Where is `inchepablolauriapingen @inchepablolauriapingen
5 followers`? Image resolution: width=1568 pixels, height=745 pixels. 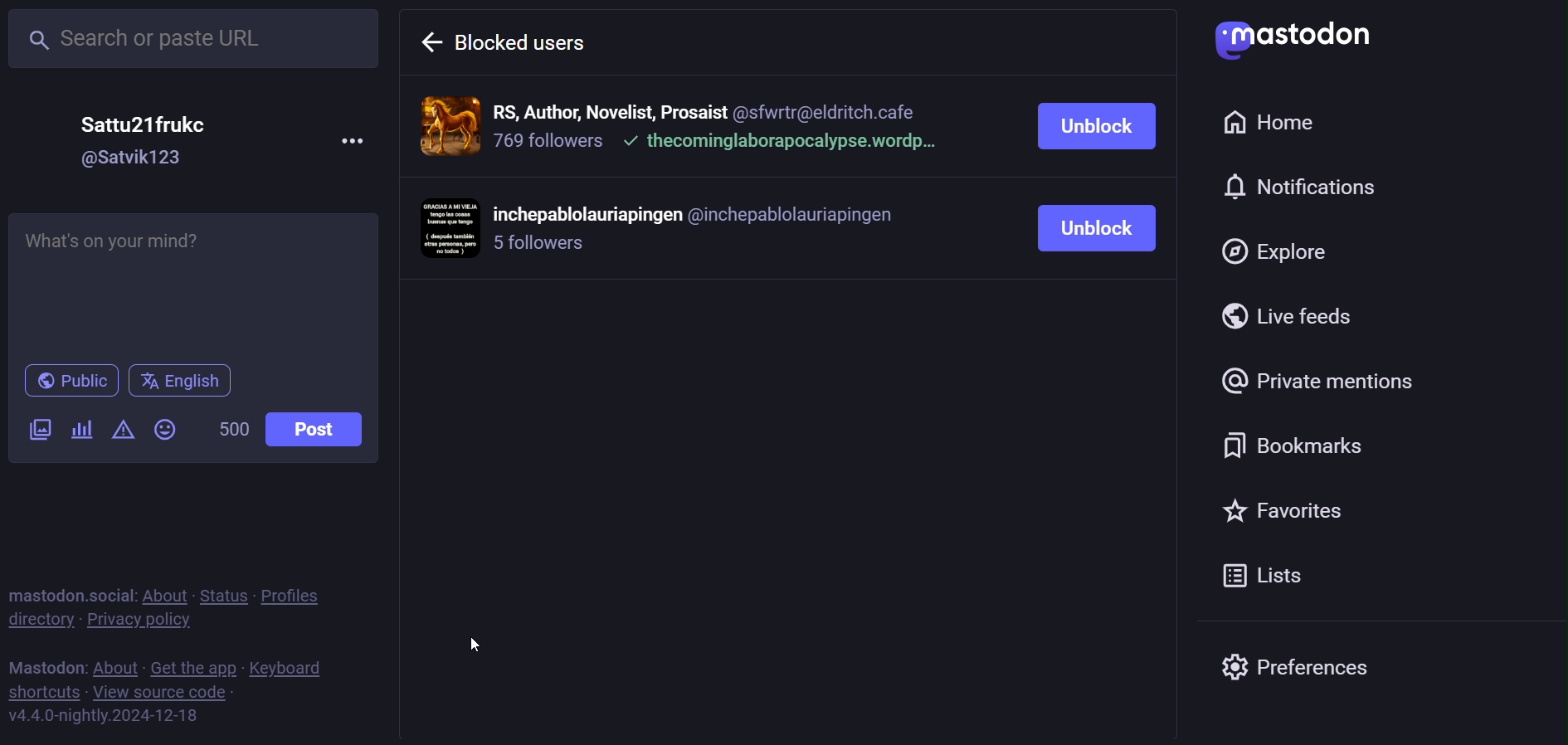
inchepablolauriapingen @inchepablolauriapingen
5 followers is located at coordinates (704, 231).